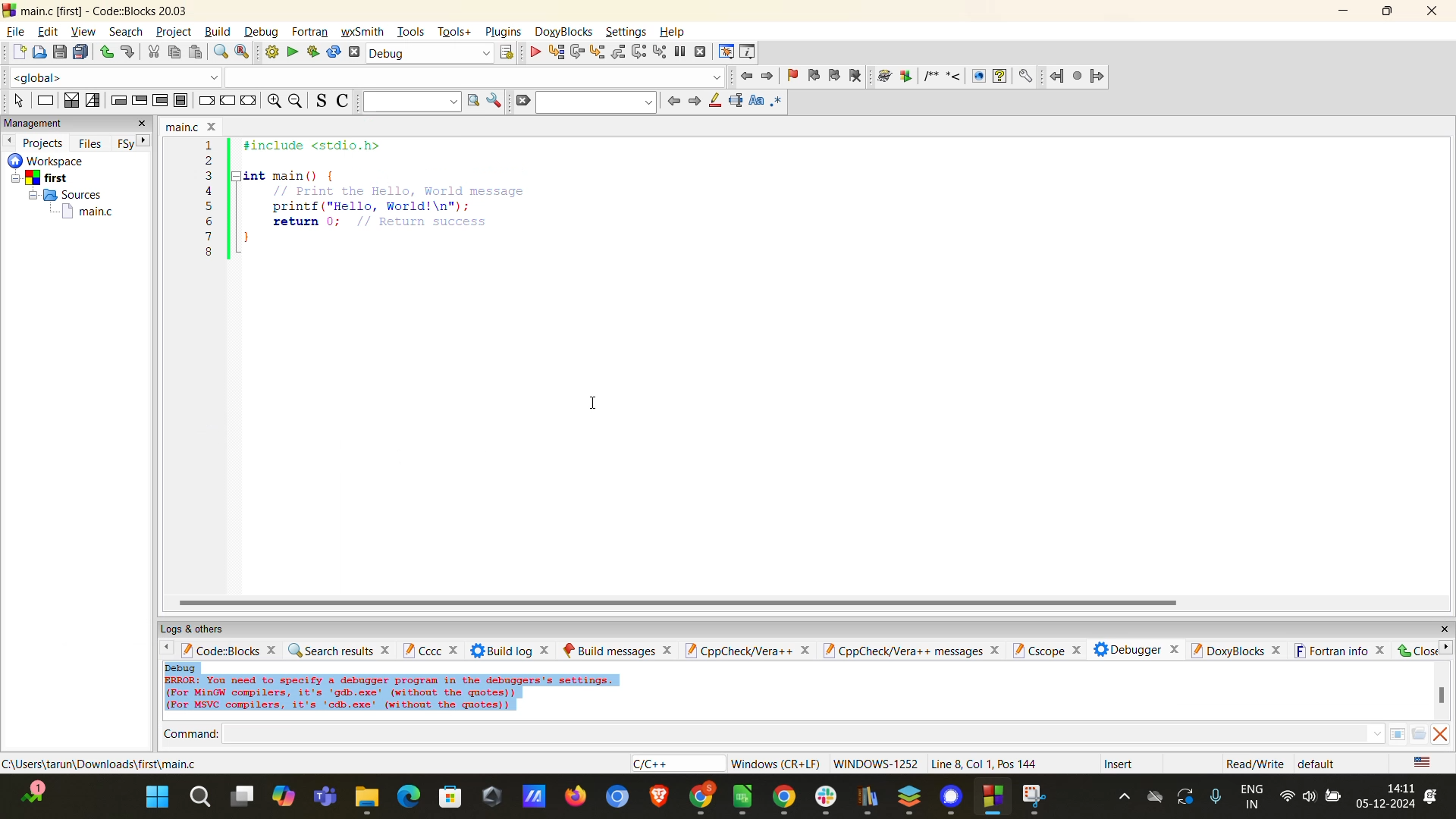  What do you see at coordinates (659, 52) in the screenshot?
I see `step into instruction` at bounding box center [659, 52].